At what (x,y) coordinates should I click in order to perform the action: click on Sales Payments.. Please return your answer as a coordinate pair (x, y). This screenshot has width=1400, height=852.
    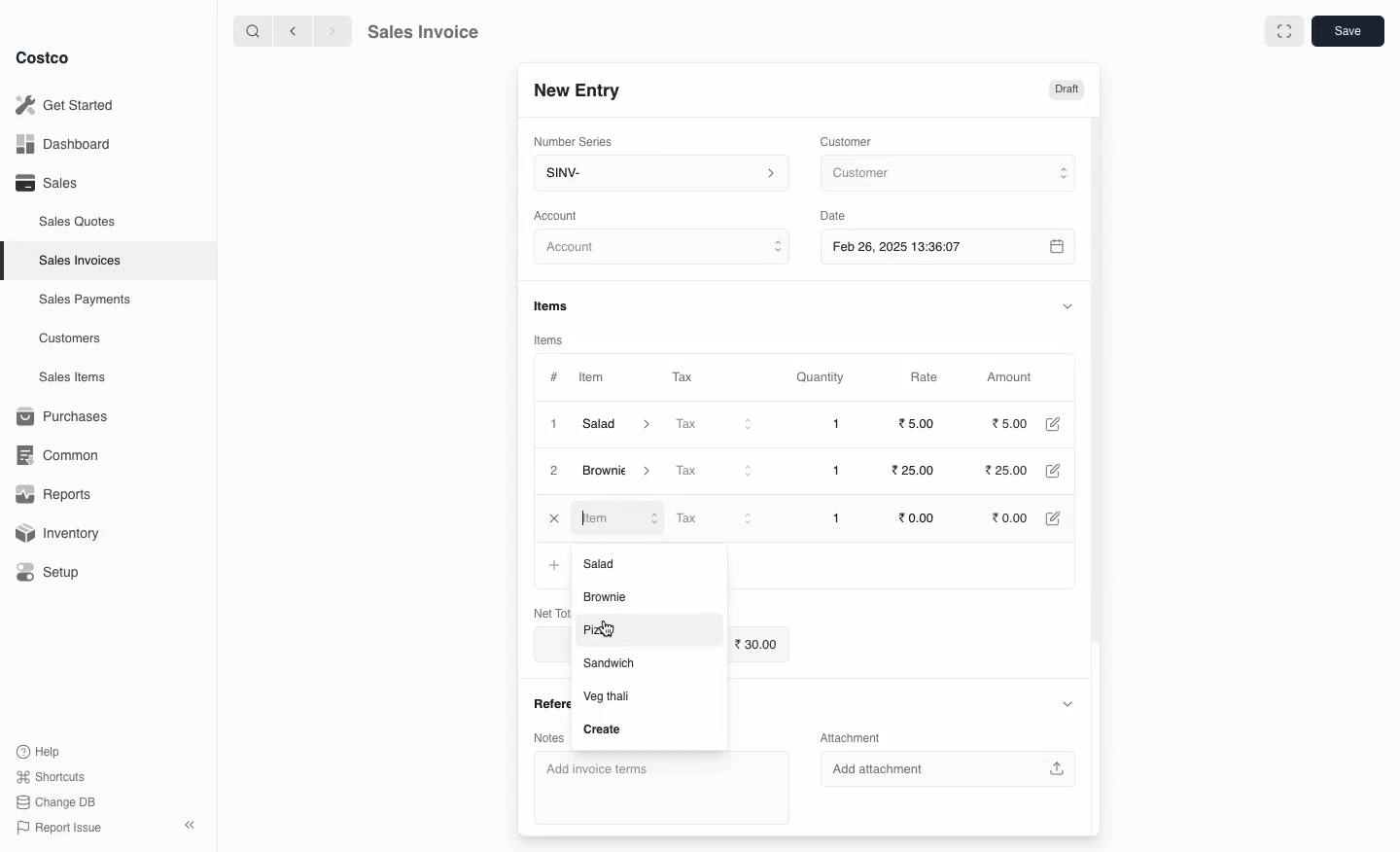
    Looking at the image, I should click on (87, 302).